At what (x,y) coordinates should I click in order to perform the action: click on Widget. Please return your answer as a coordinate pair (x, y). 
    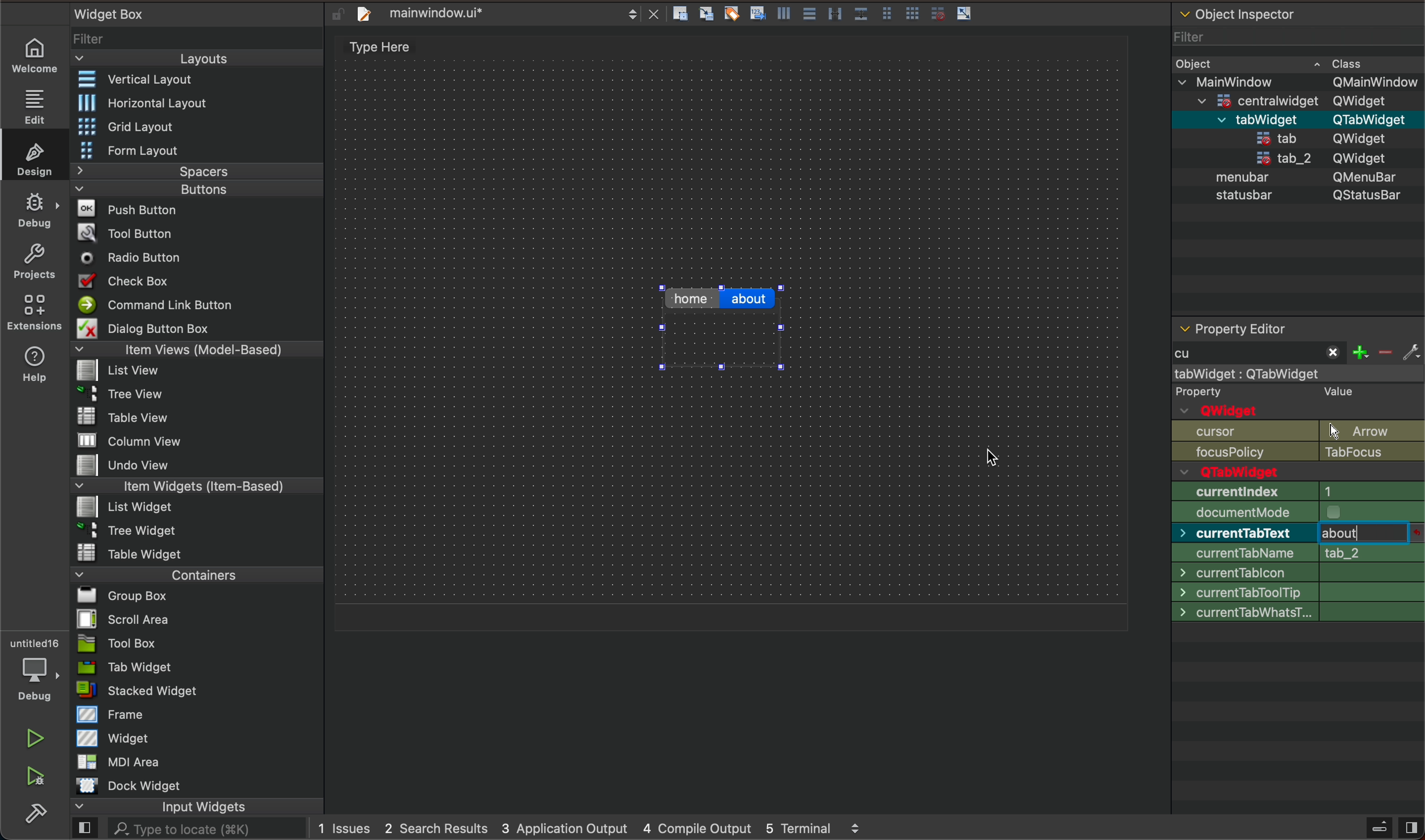
    Looking at the image, I should click on (114, 738).